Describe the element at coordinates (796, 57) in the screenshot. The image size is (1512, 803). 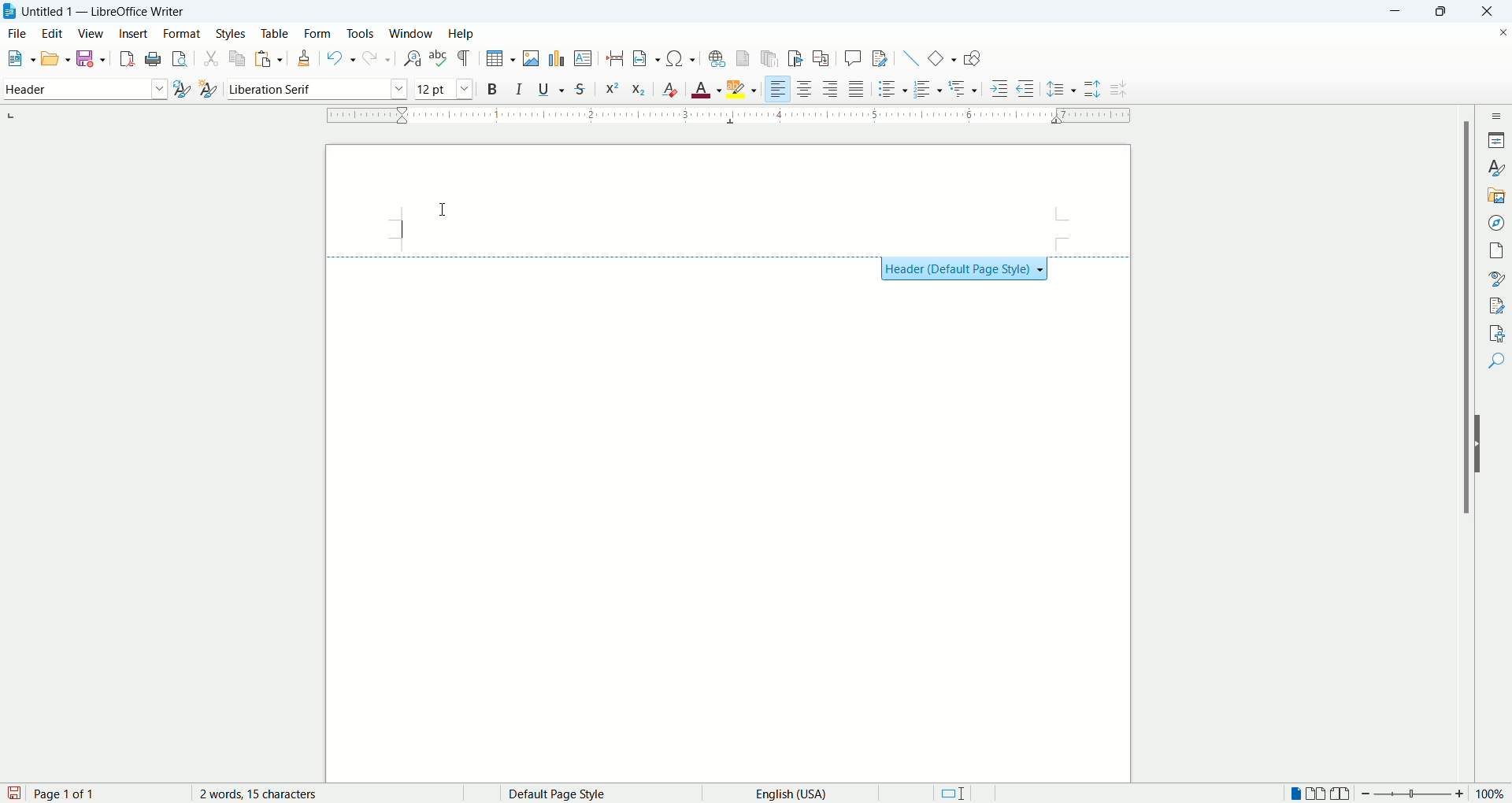
I see `insert bookmark` at that location.